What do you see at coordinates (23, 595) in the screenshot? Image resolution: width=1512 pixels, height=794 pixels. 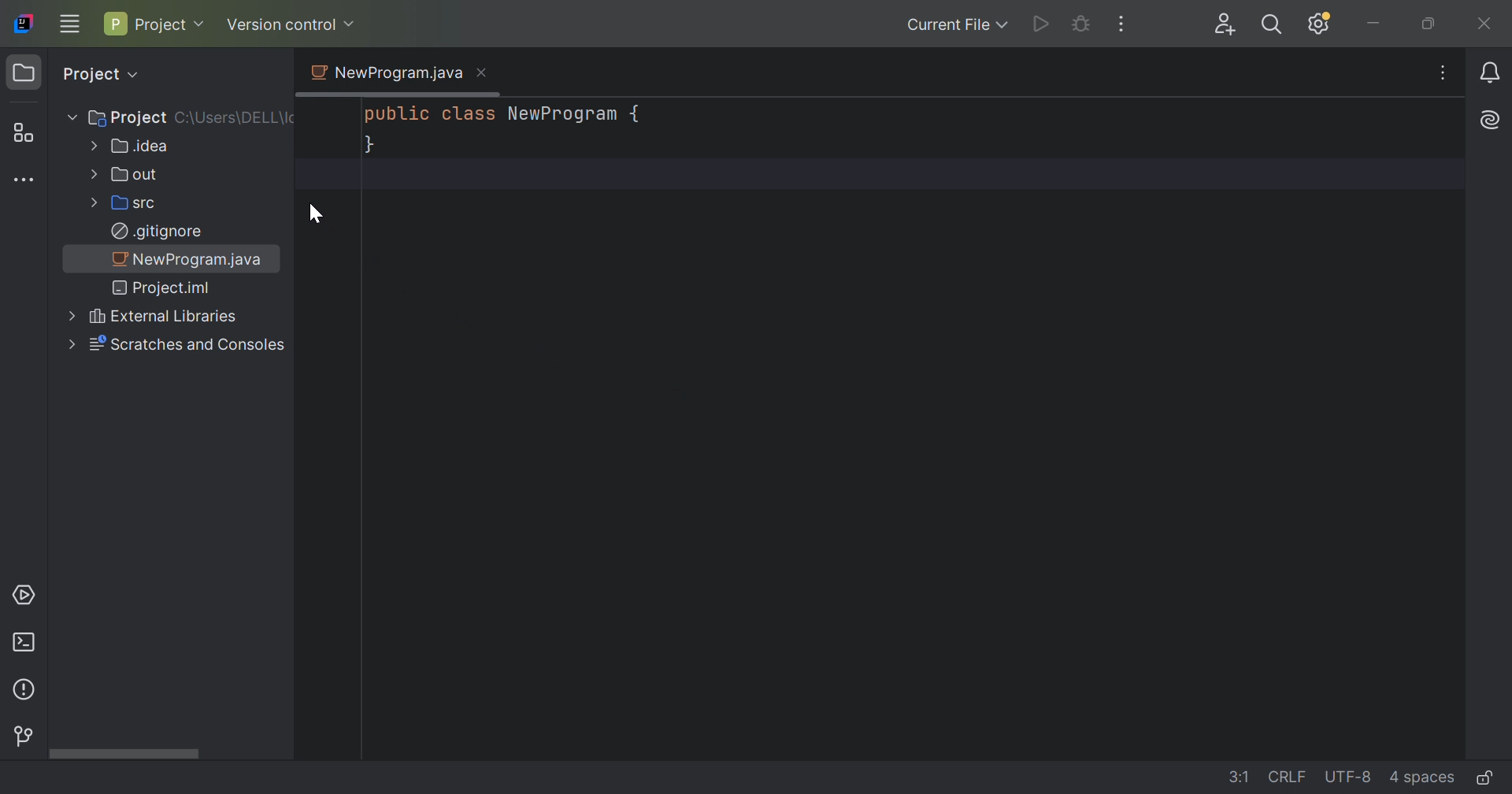 I see `Services` at bounding box center [23, 595].